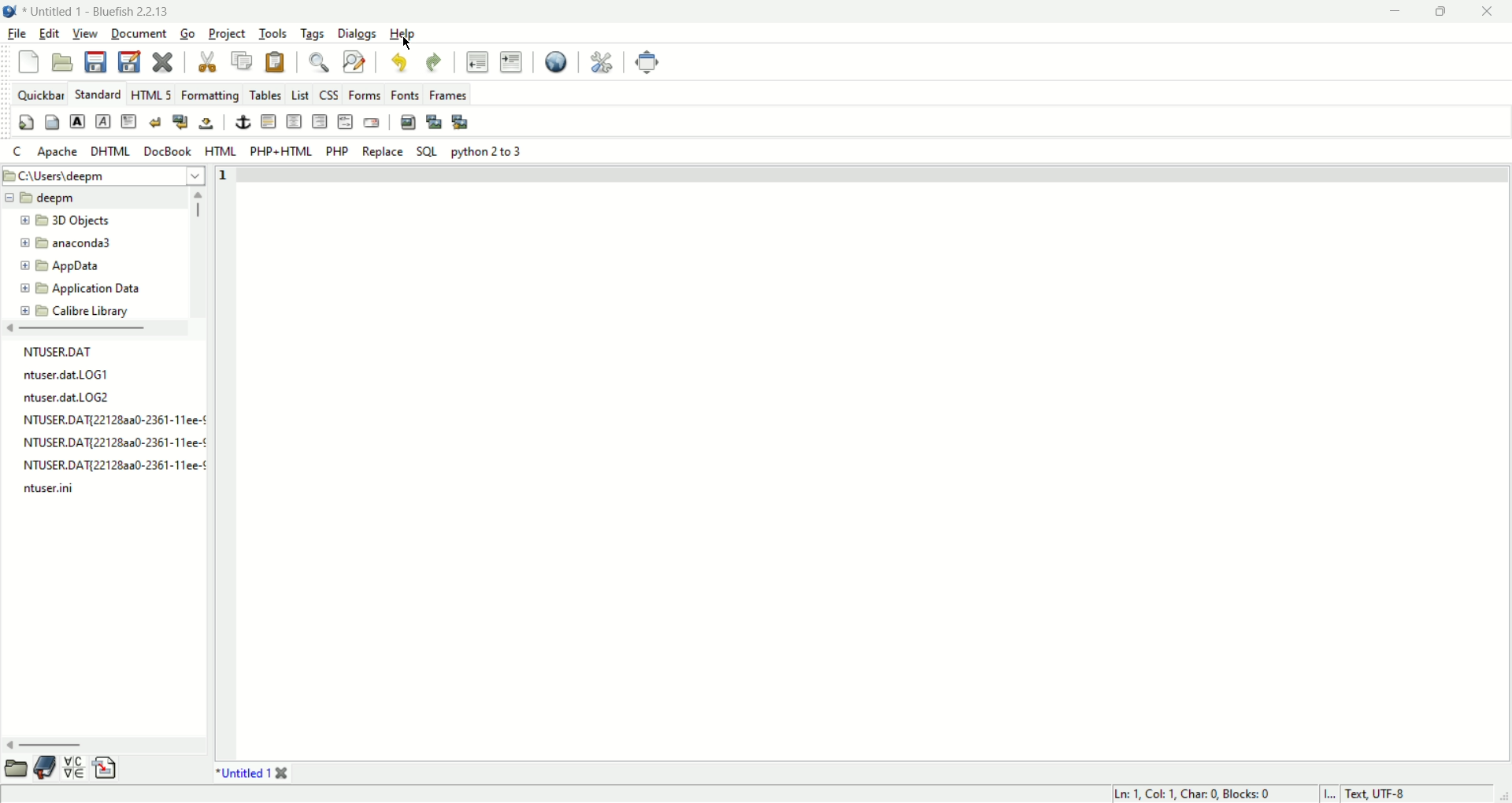 The image size is (1512, 803). What do you see at coordinates (294, 121) in the screenshot?
I see `center` at bounding box center [294, 121].